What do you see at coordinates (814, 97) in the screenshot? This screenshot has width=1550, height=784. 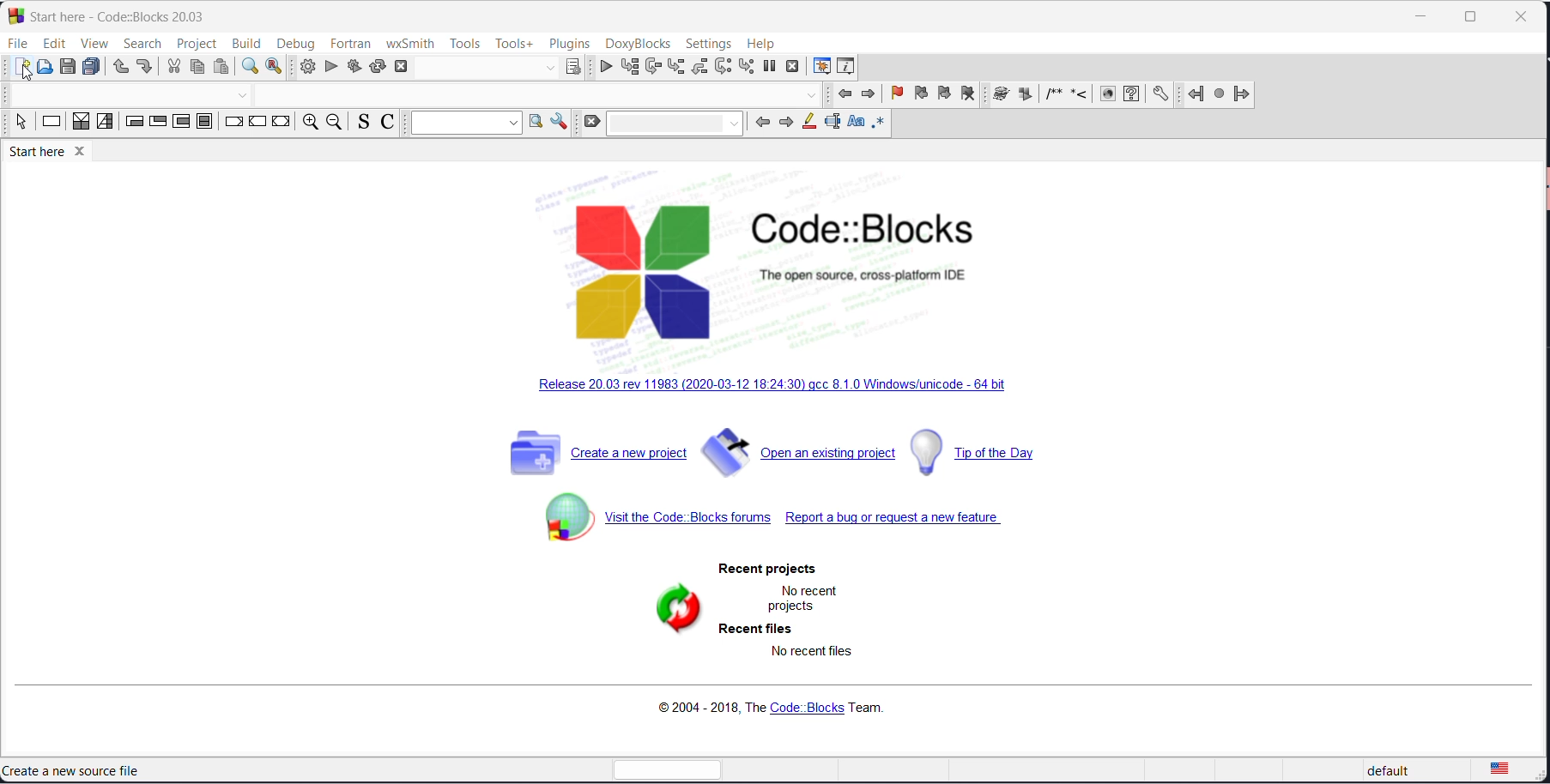 I see `dropdown button` at bounding box center [814, 97].